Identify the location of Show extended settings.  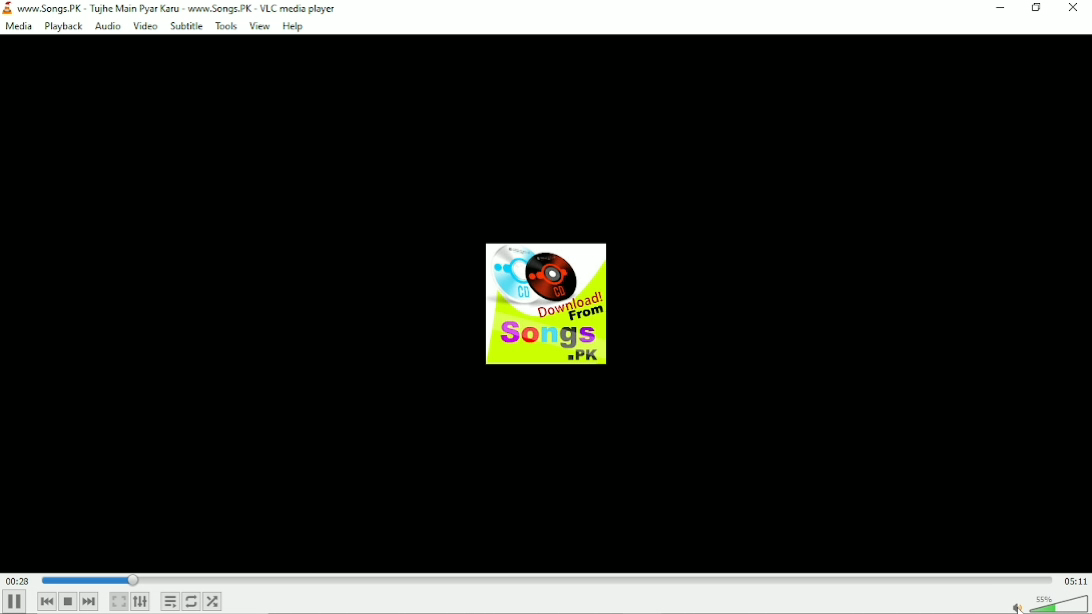
(141, 601).